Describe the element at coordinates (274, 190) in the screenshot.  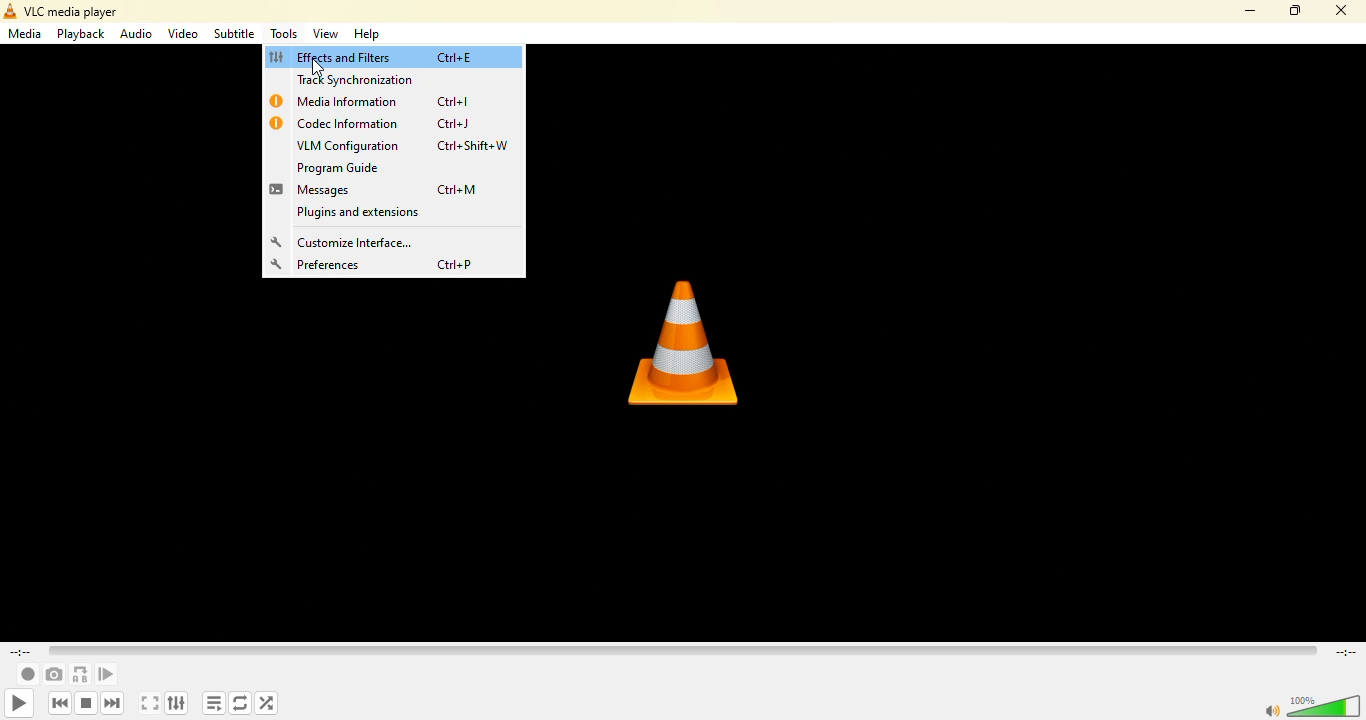
I see `message` at that location.